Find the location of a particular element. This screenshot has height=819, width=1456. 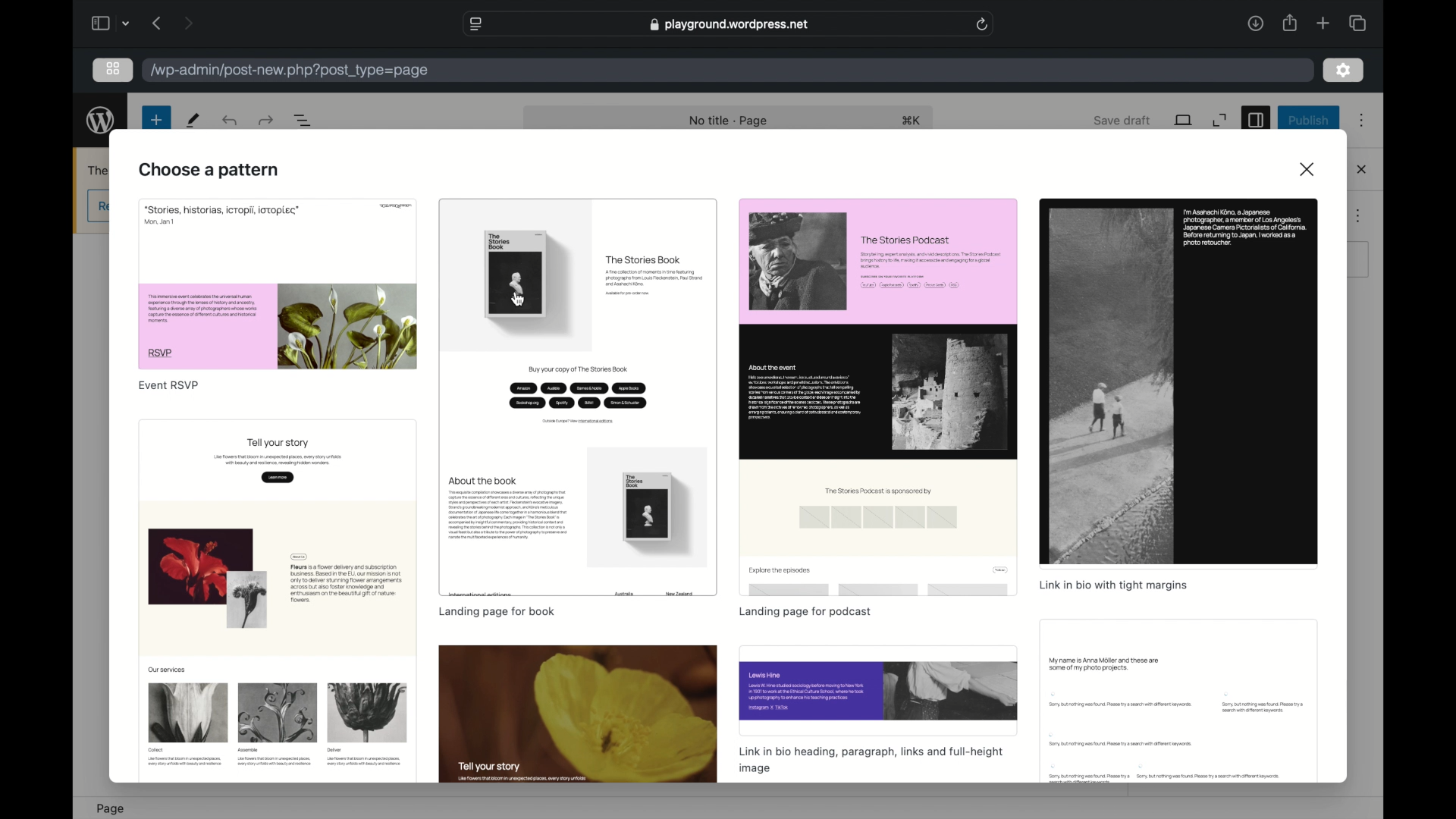

grid view is located at coordinates (113, 70).